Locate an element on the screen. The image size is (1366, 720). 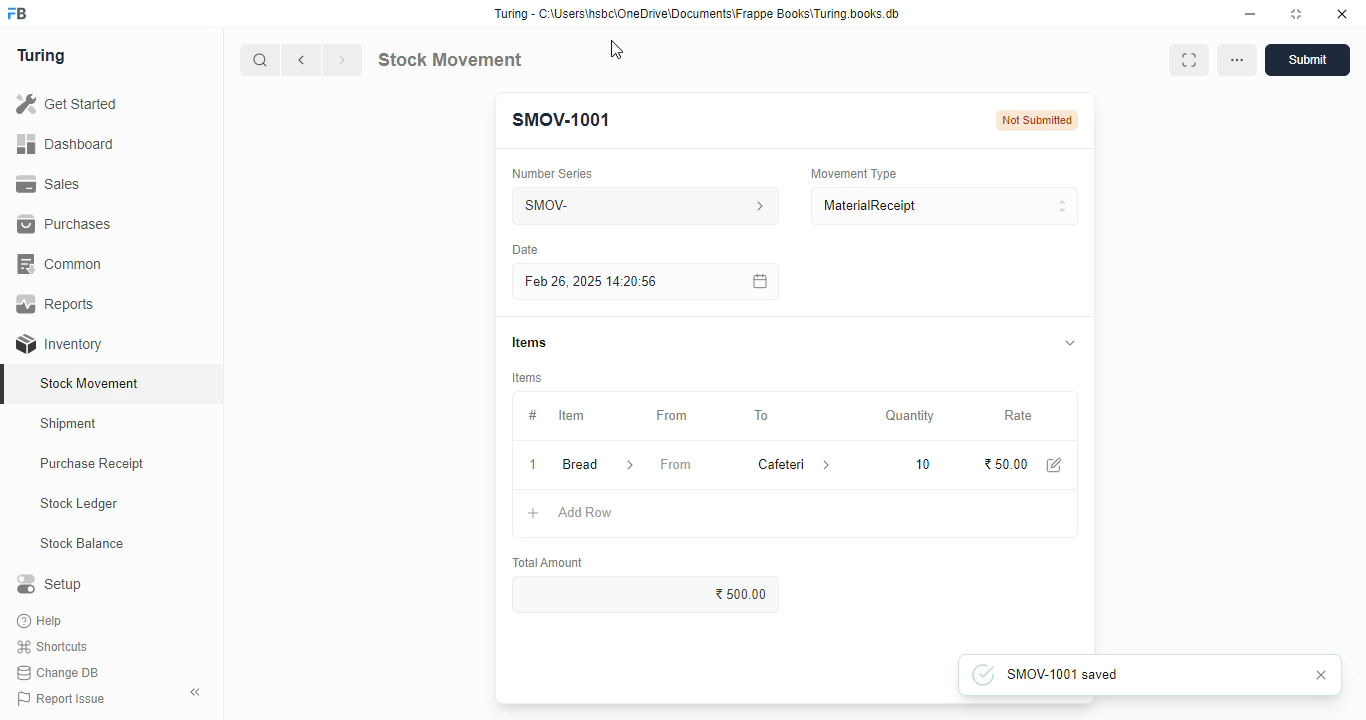
items is located at coordinates (529, 342).